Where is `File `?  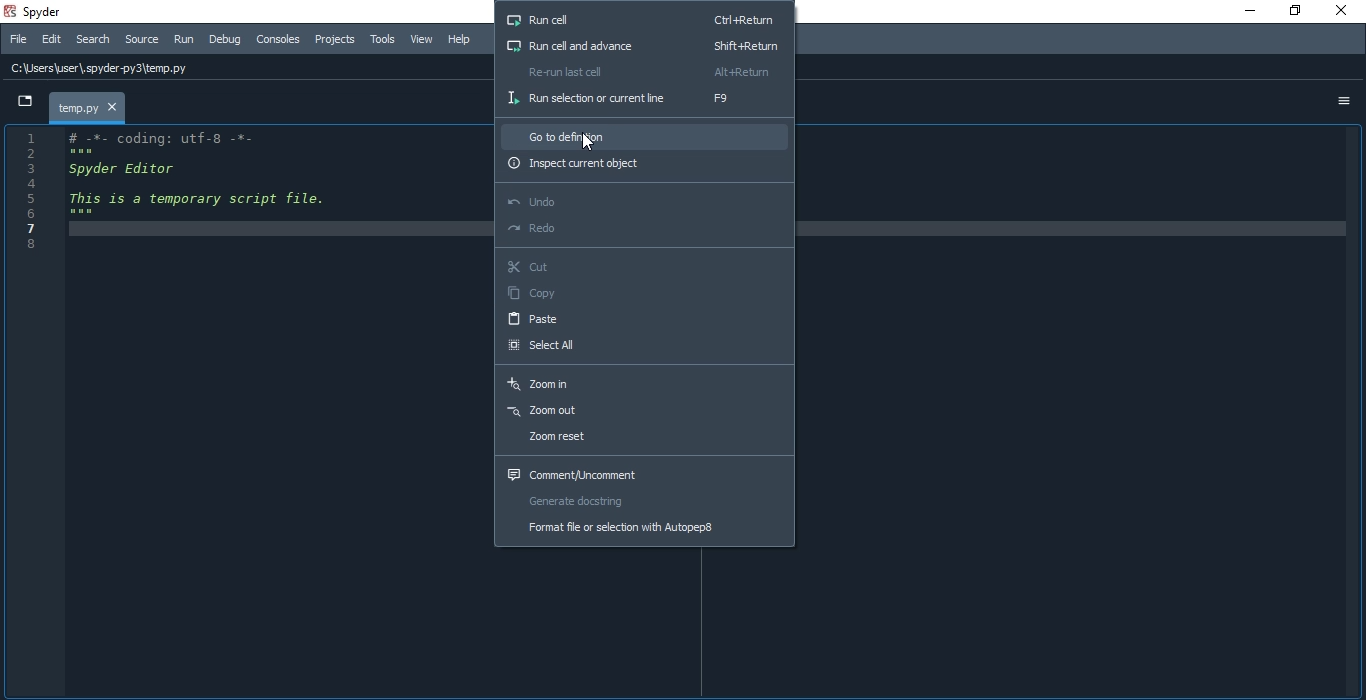
File  is located at coordinates (18, 39).